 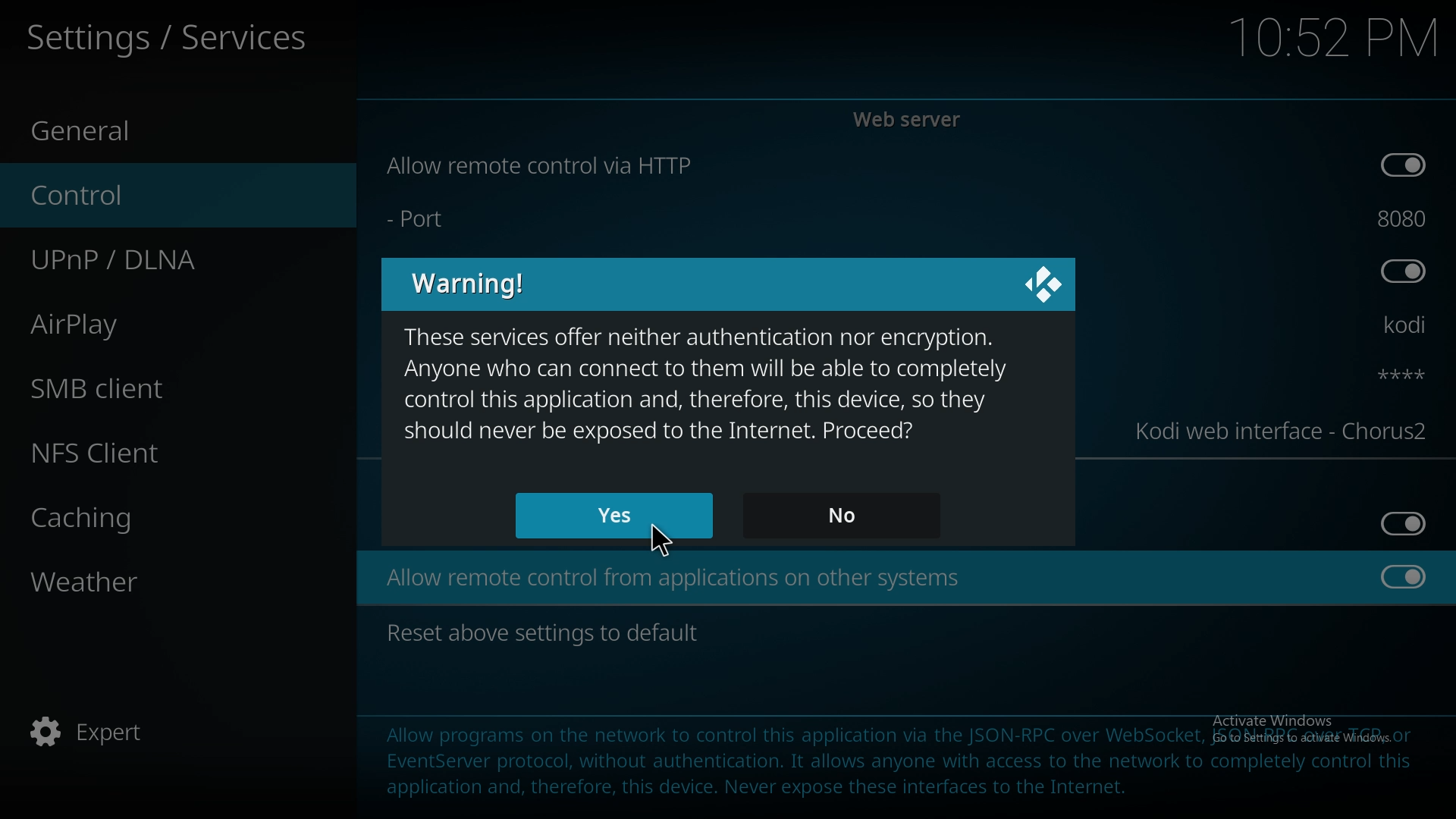 What do you see at coordinates (848, 517) in the screenshot?
I see `no` at bounding box center [848, 517].